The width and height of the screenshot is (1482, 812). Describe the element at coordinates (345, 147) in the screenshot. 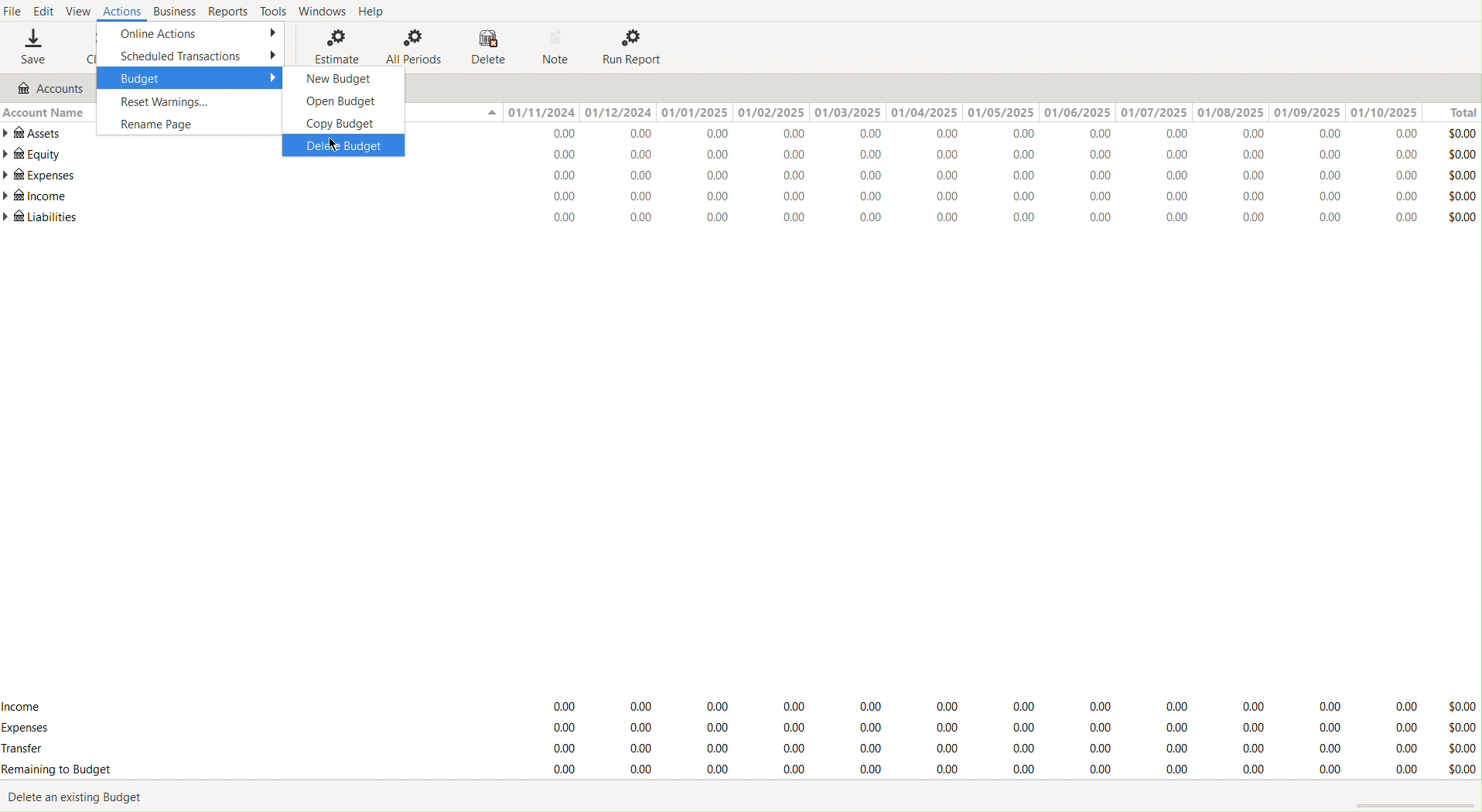

I see `Delete Budget` at that location.